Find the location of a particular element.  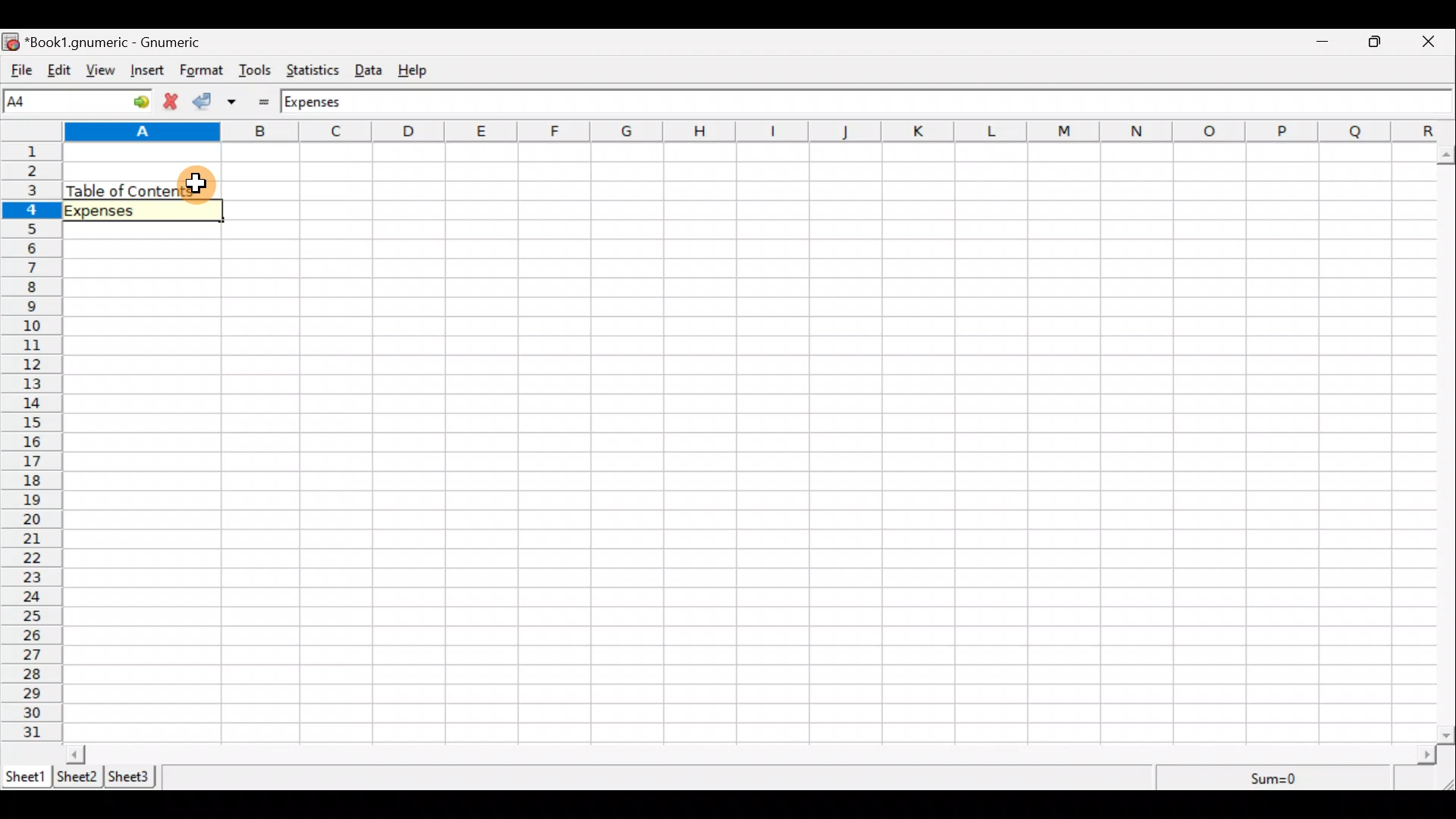

Table of contents is located at coordinates (142, 187).